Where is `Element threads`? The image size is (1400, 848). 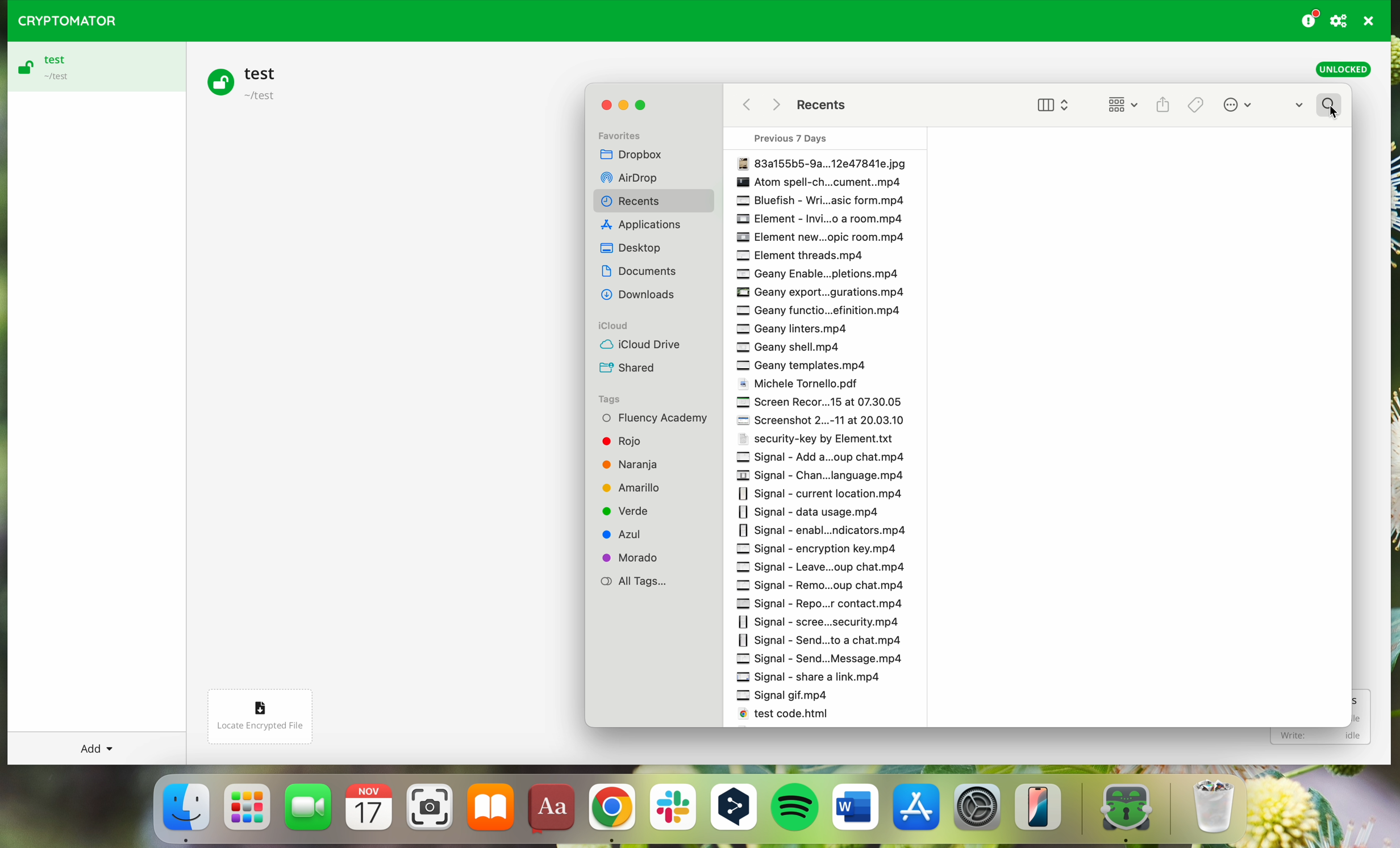
Element threads is located at coordinates (797, 255).